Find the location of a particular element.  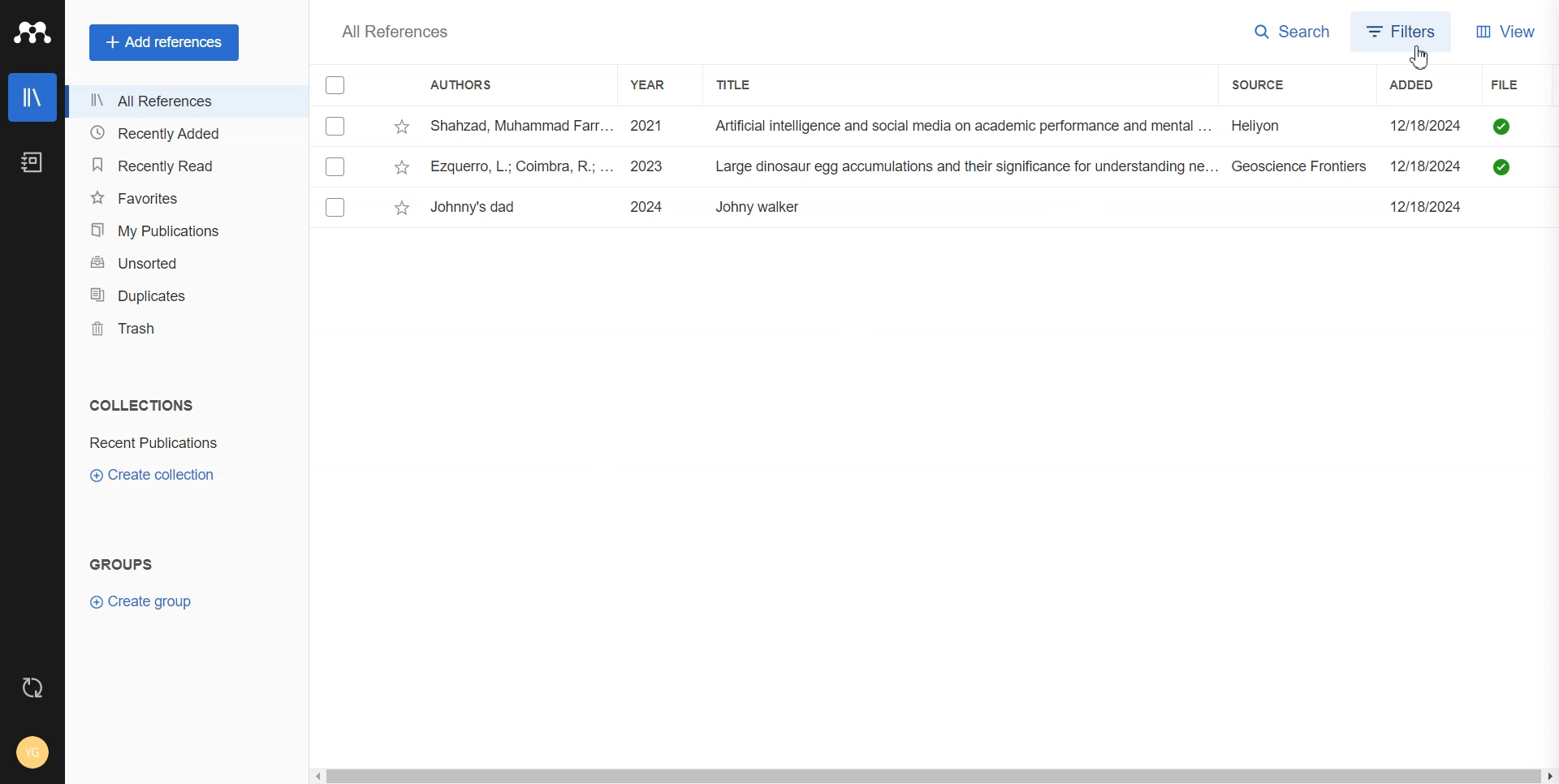

Ezquerro, L.; Coimbra, R.; ... 2023 Large dinosaur egg accumulations and their significance for understanding ne... Geoscience Frontiers ~~ 12/18/2024 is located at coordinates (952, 166).